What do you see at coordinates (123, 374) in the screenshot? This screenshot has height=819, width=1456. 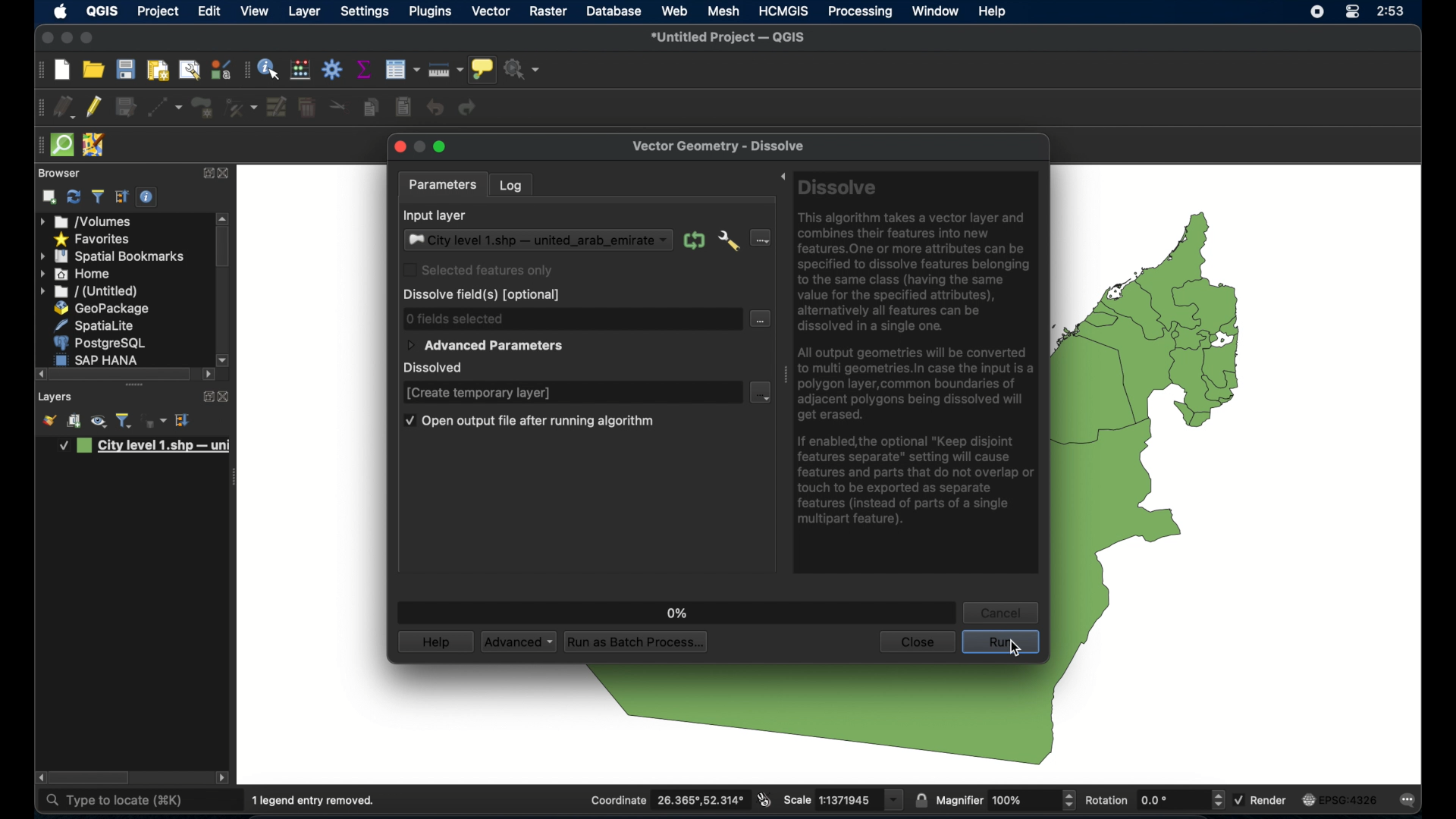 I see `scroll box` at bounding box center [123, 374].